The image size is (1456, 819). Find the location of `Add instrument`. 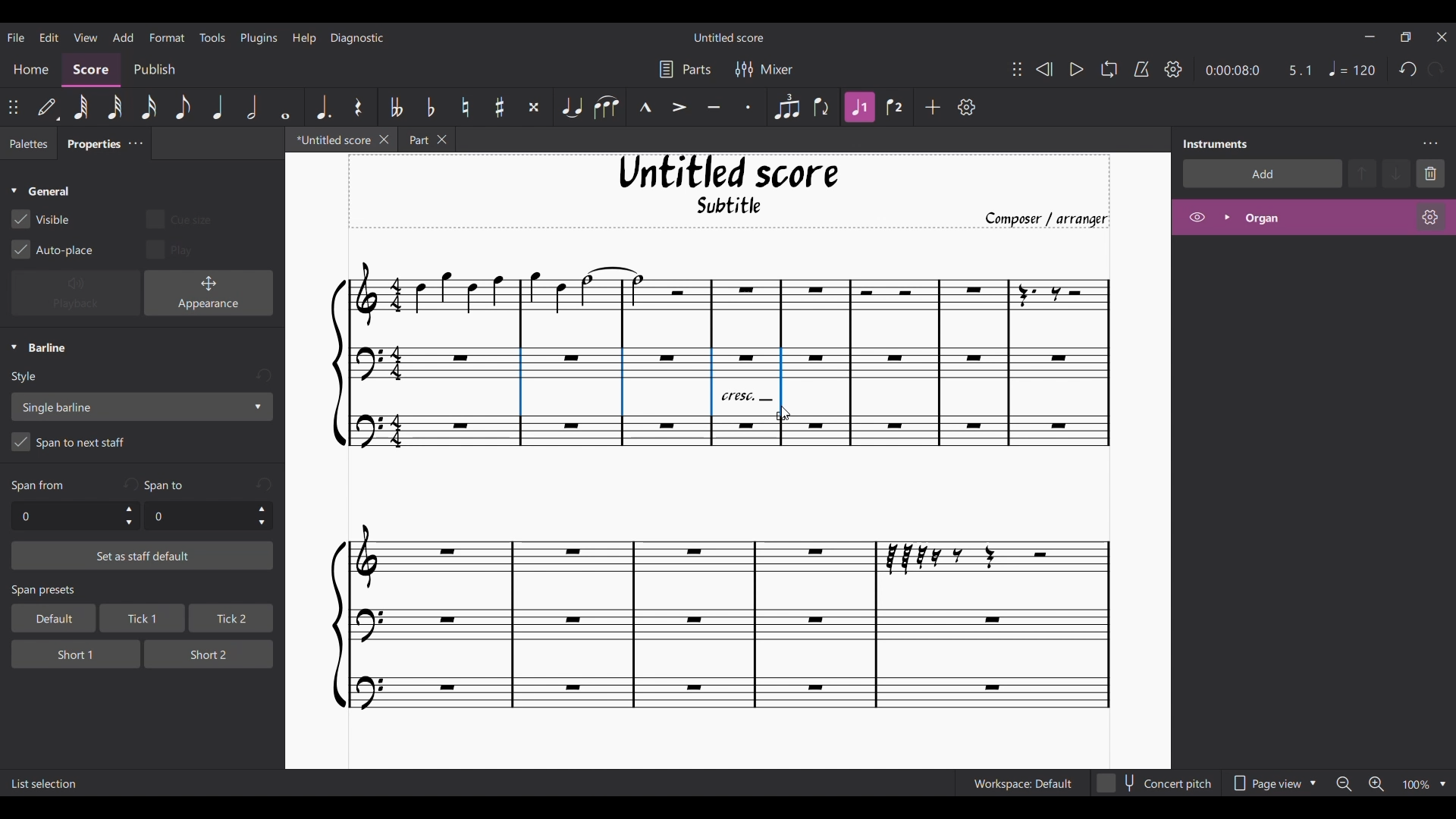

Add instrument is located at coordinates (1263, 173).